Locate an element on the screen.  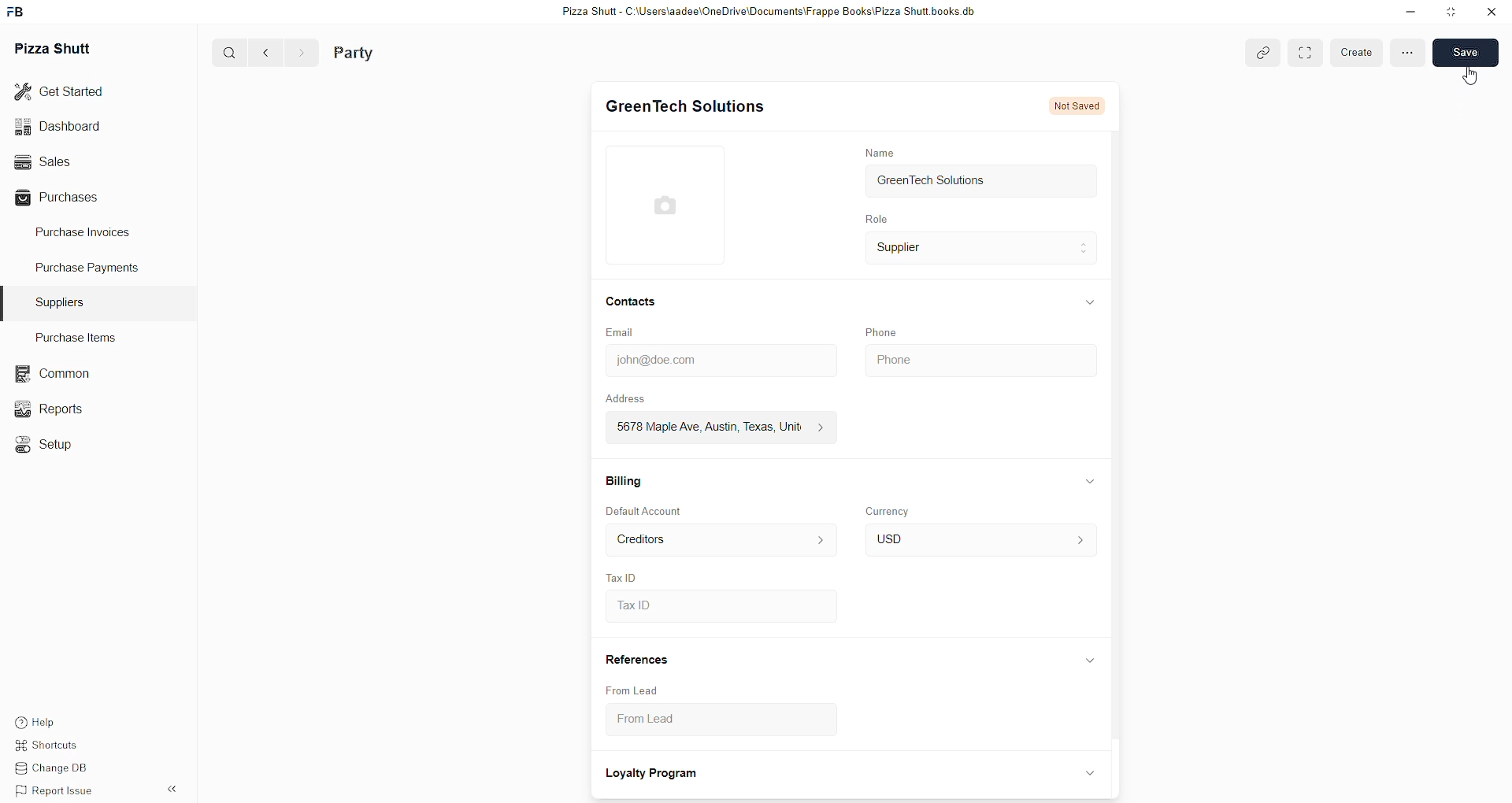
Loyalty Program is located at coordinates (654, 775).